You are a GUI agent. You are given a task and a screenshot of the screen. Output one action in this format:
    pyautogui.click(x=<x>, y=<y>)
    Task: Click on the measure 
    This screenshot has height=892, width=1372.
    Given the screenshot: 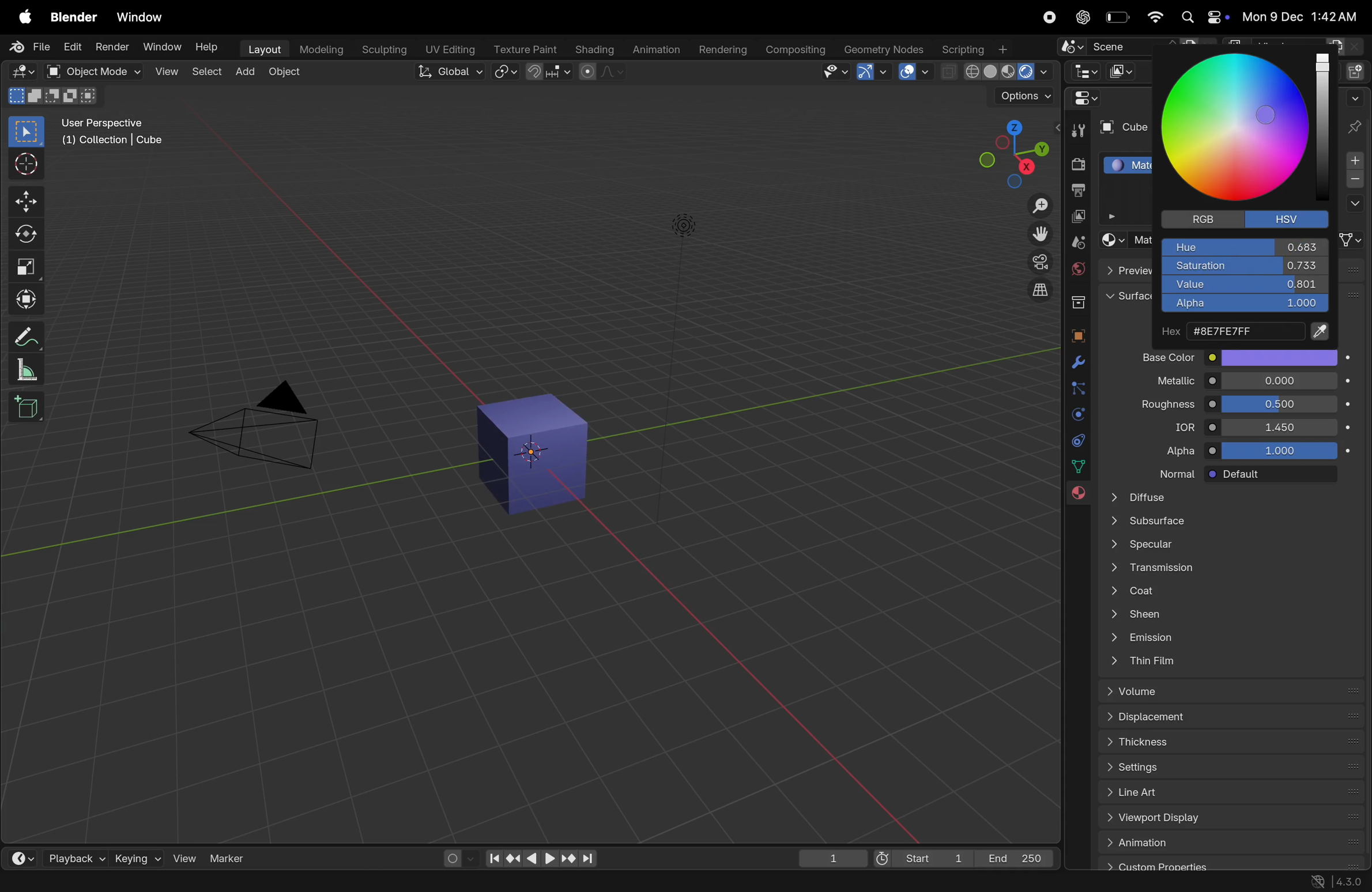 What is the action you would take?
    pyautogui.click(x=24, y=369)
    